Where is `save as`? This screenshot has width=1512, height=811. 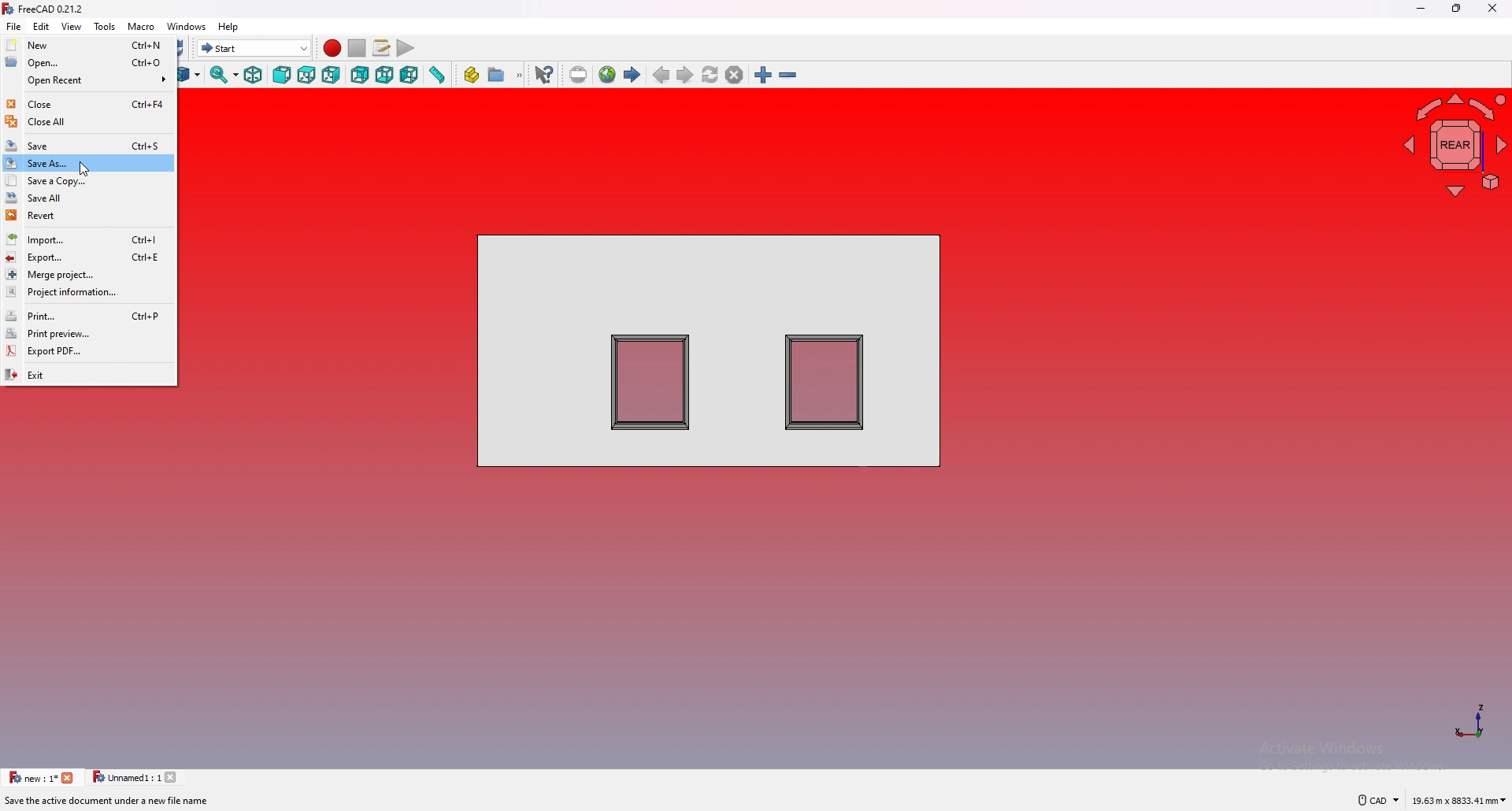
save as is located at coordinates (85, 162).